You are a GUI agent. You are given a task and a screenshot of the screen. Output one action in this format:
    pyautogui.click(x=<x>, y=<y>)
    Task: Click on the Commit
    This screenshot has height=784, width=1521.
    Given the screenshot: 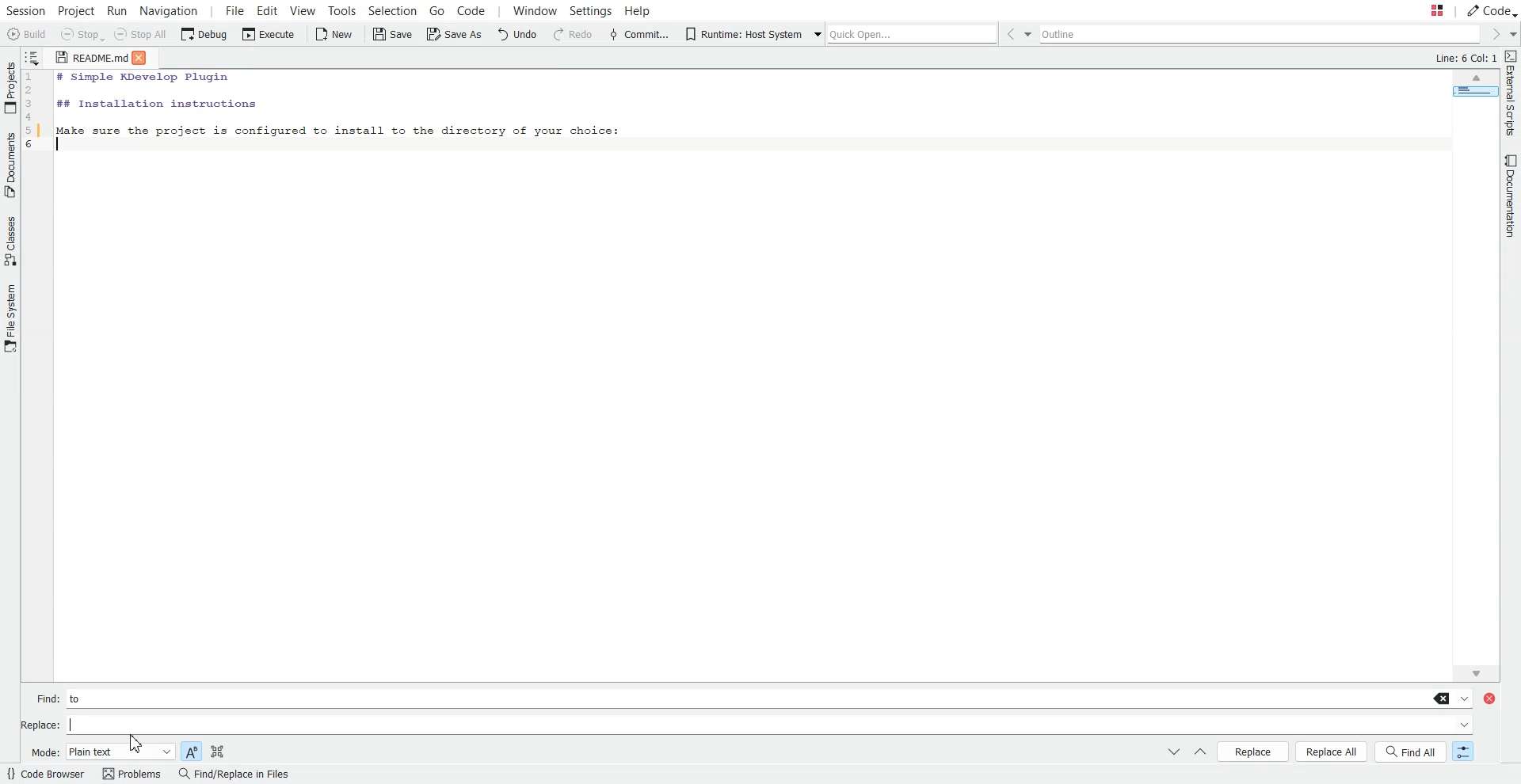 What is the action you would take?
    pyautogui.click(x=639, y=34)
    